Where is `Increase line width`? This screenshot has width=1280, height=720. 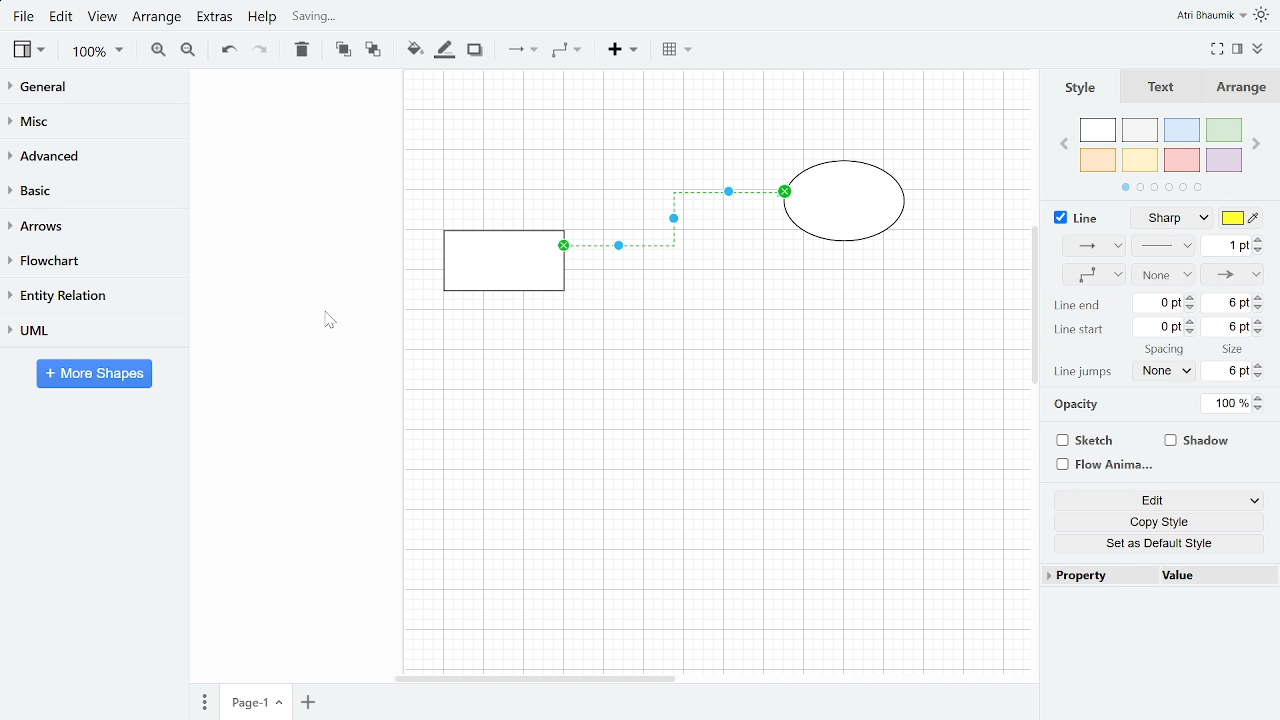
Increase line width is located at coordinates (1261, 239).